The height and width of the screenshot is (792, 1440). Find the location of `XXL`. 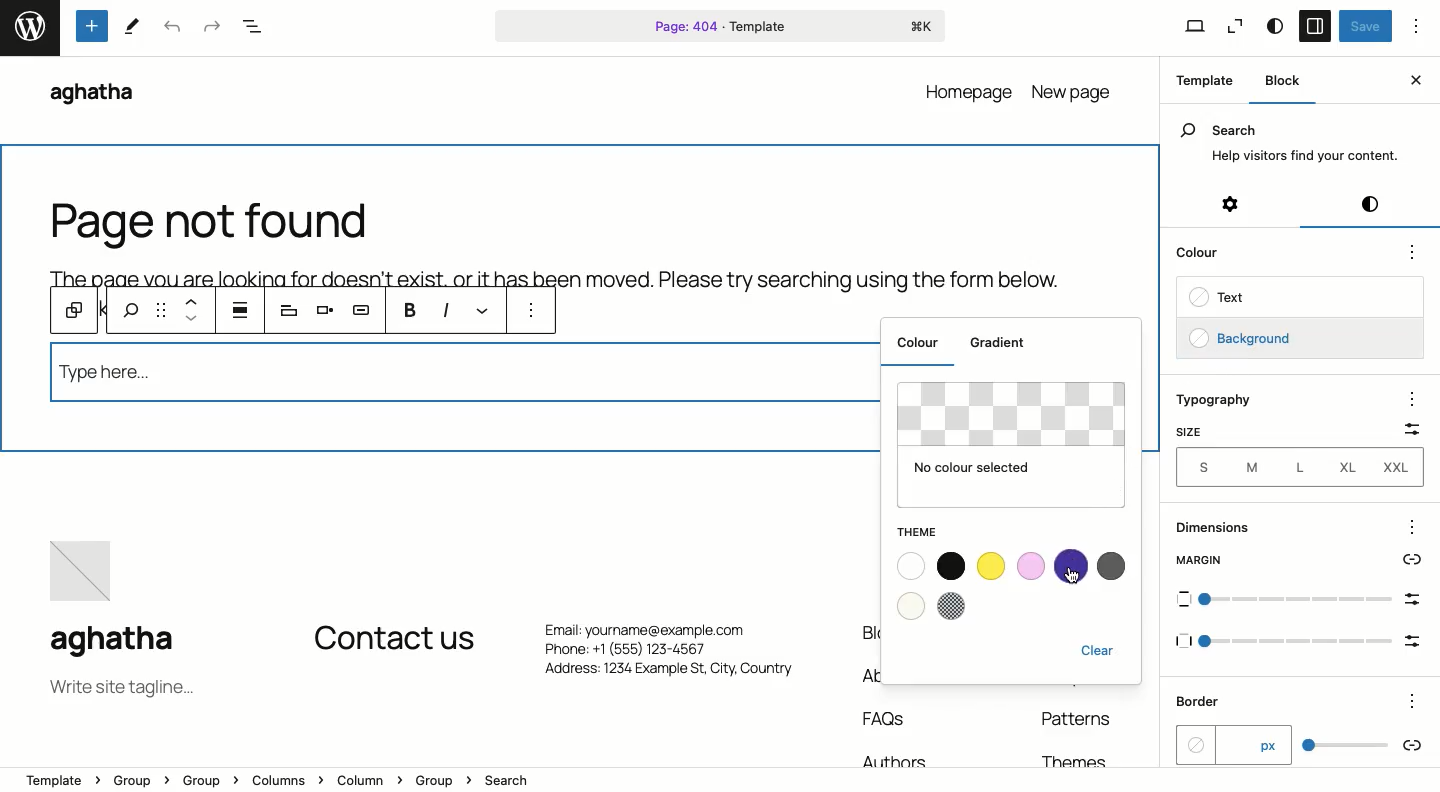

XXL is located at coordinates (1403, 468).